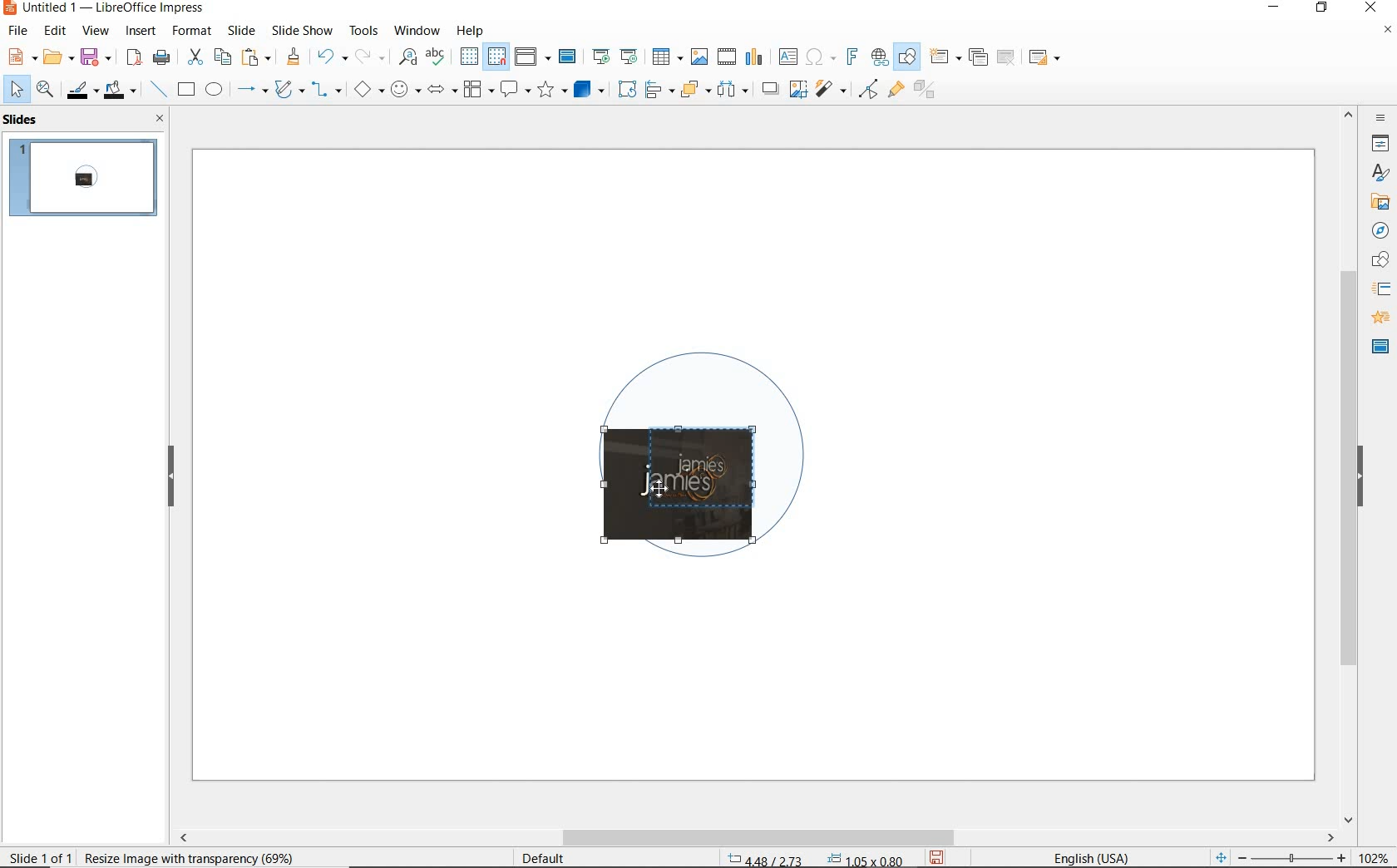 The height and width of the screenshot is (868, 1397). I want to click on fill color, so click(122, 91).